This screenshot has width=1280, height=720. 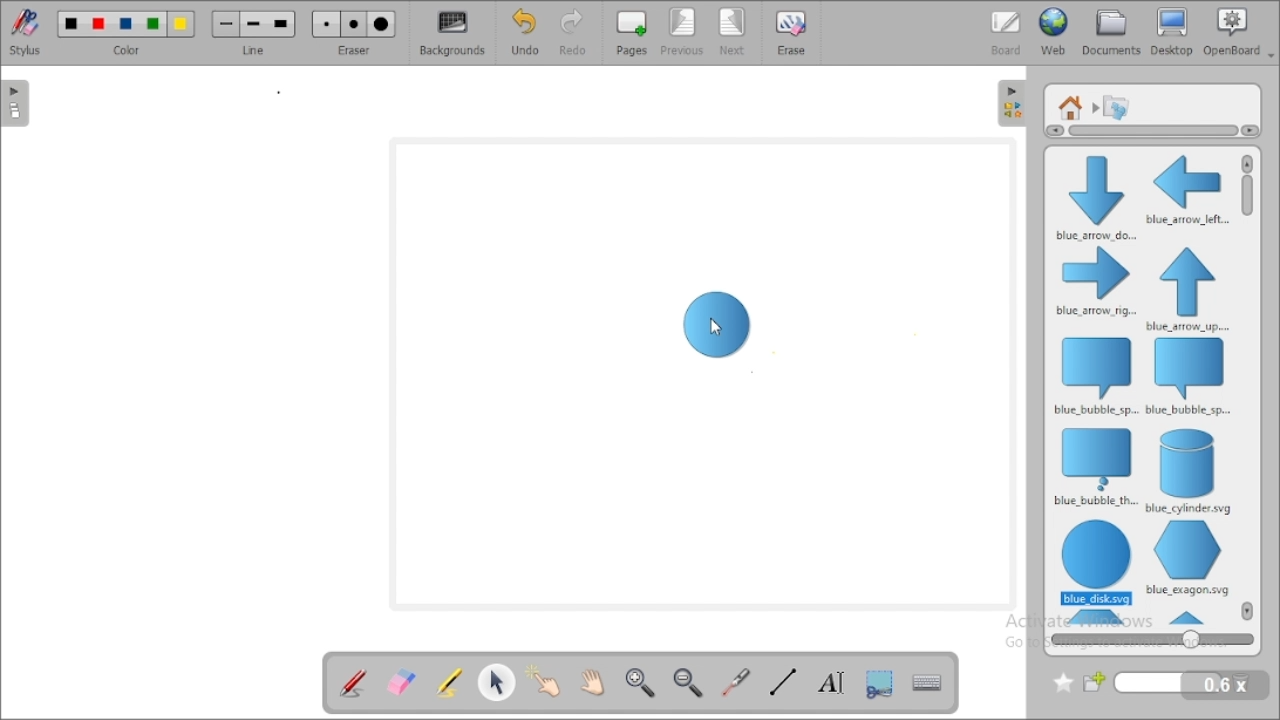 I want to click on scroll page, so click(x=593, y=680).